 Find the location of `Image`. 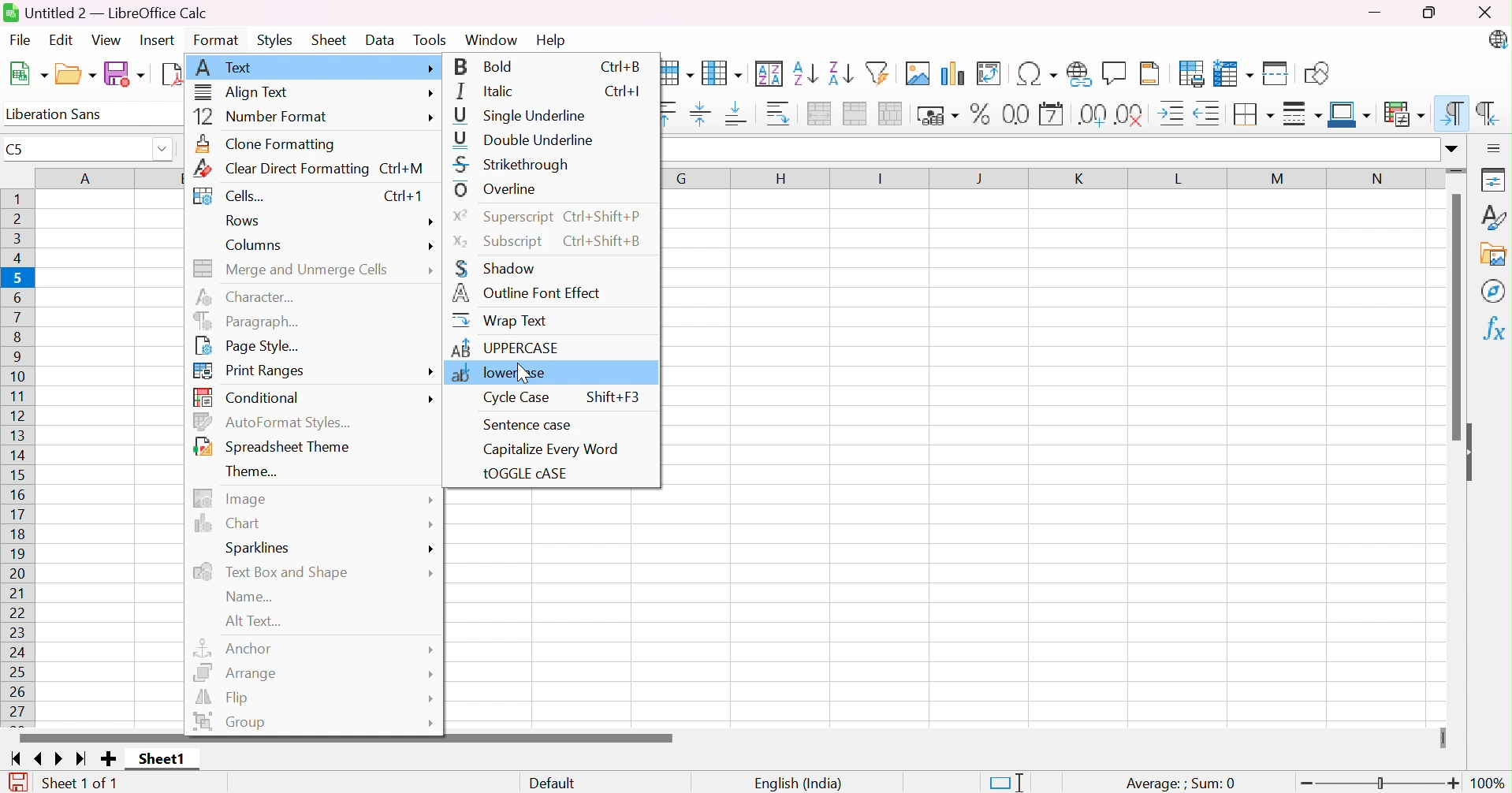

Image is located at coordinates (227, 498).